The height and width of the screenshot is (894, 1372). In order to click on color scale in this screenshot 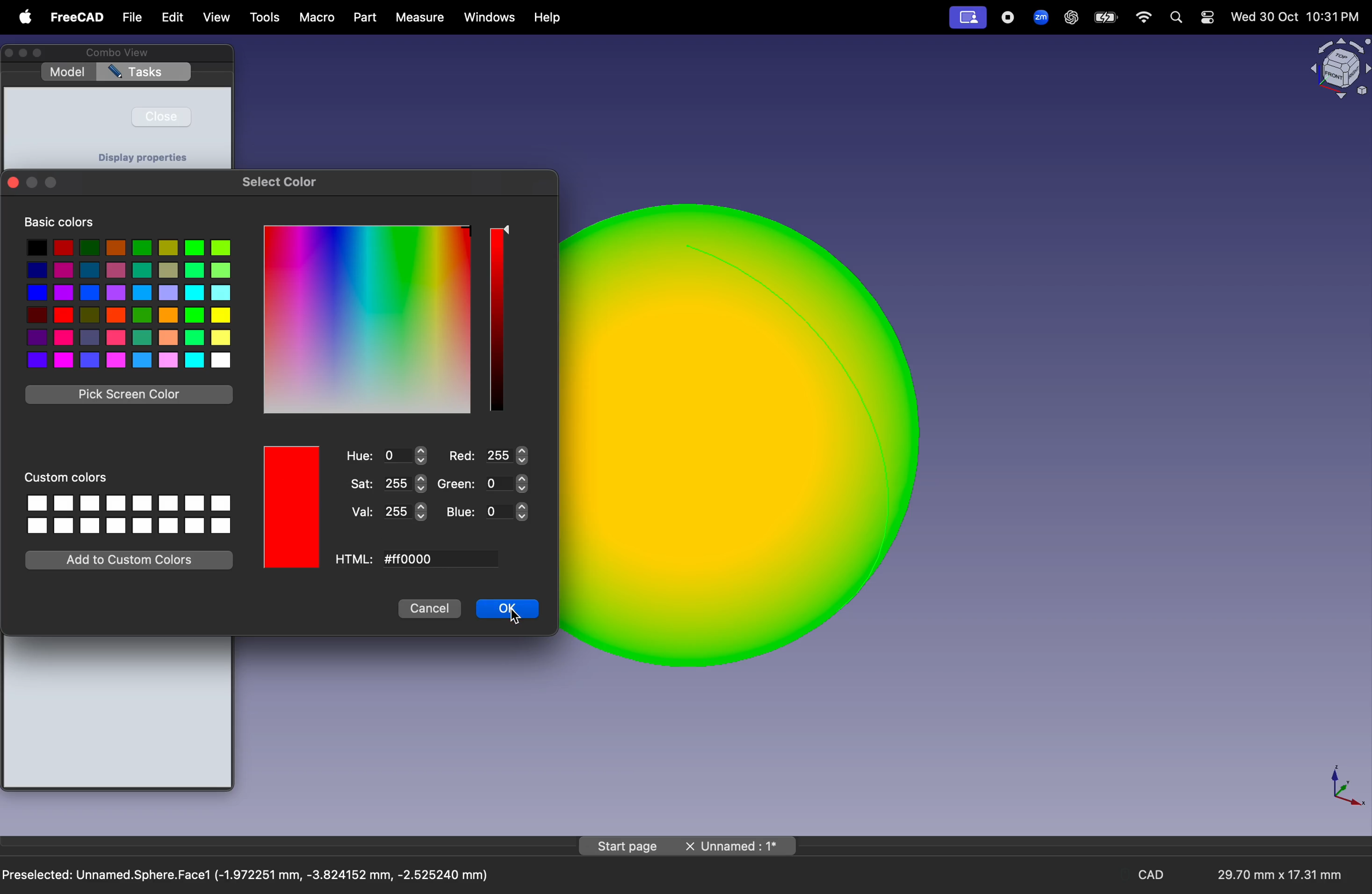, I will do `click(367, 319)`.